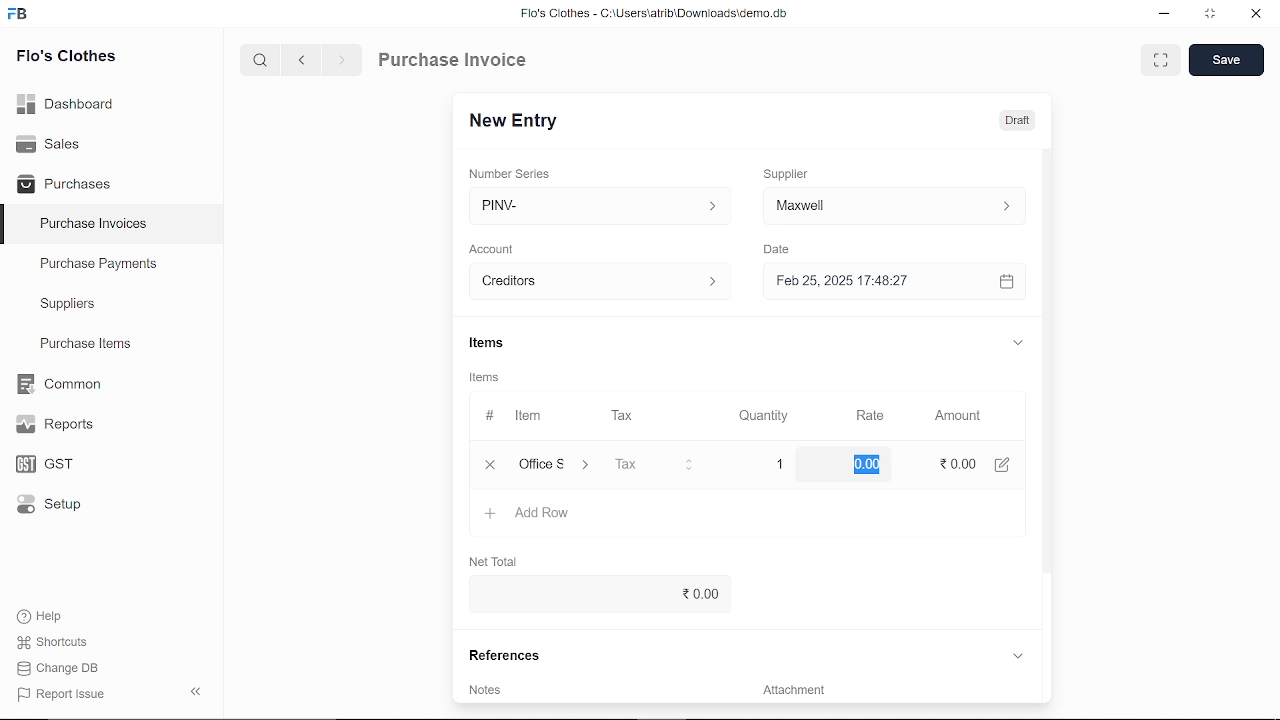 This screenshot has height=720, width=1280. I want to click on input ‘Supplier, so click(894, 204).